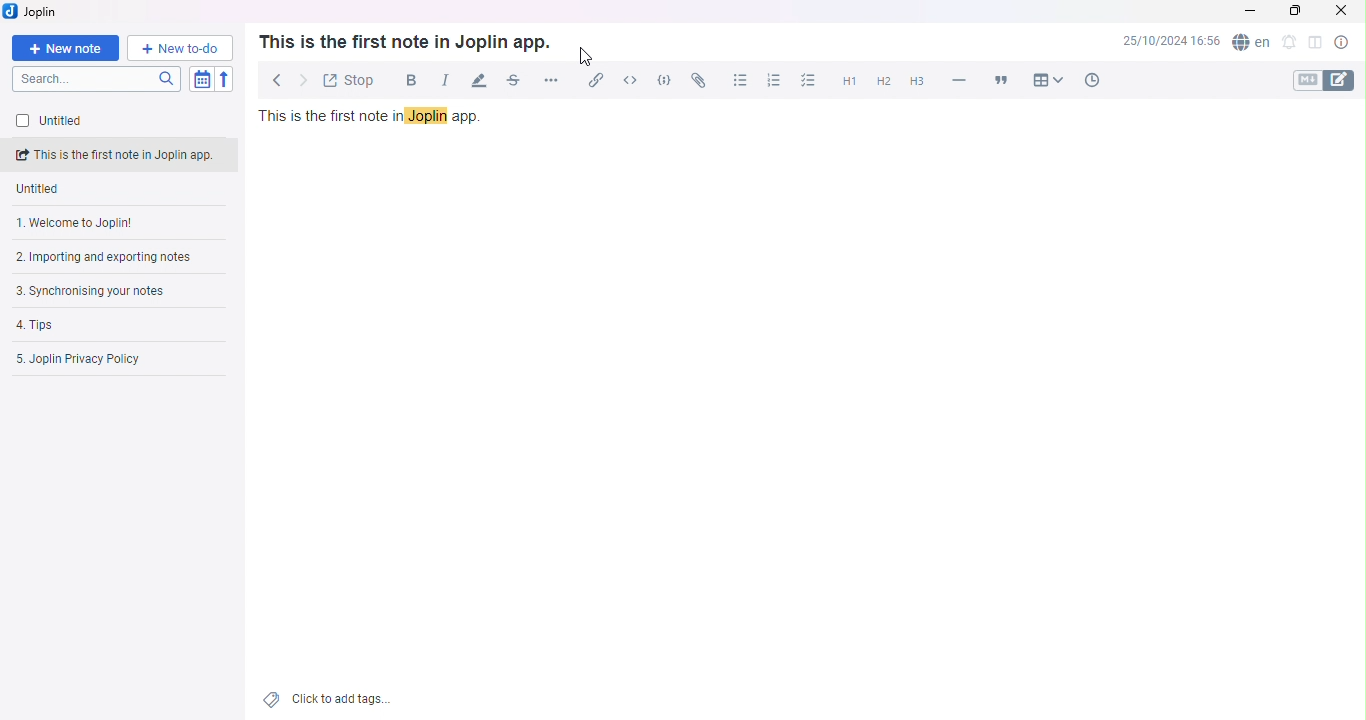  What do you see at coordinates (331, 700) in the screenshot?
I see `Add tags` at bounding box center [331, 700].